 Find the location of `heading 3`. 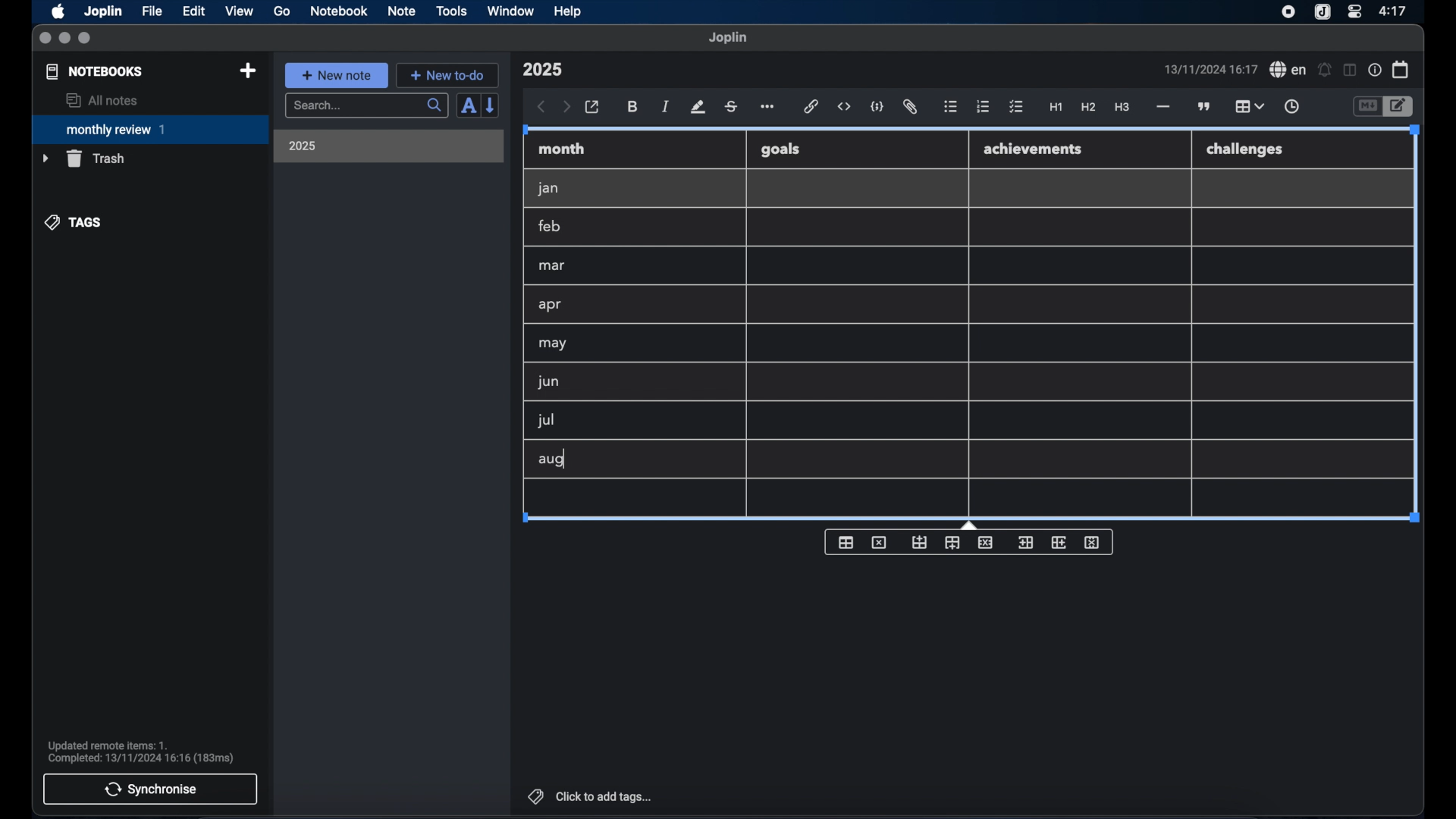

heading 3 is located at coordinates (1122, 108).